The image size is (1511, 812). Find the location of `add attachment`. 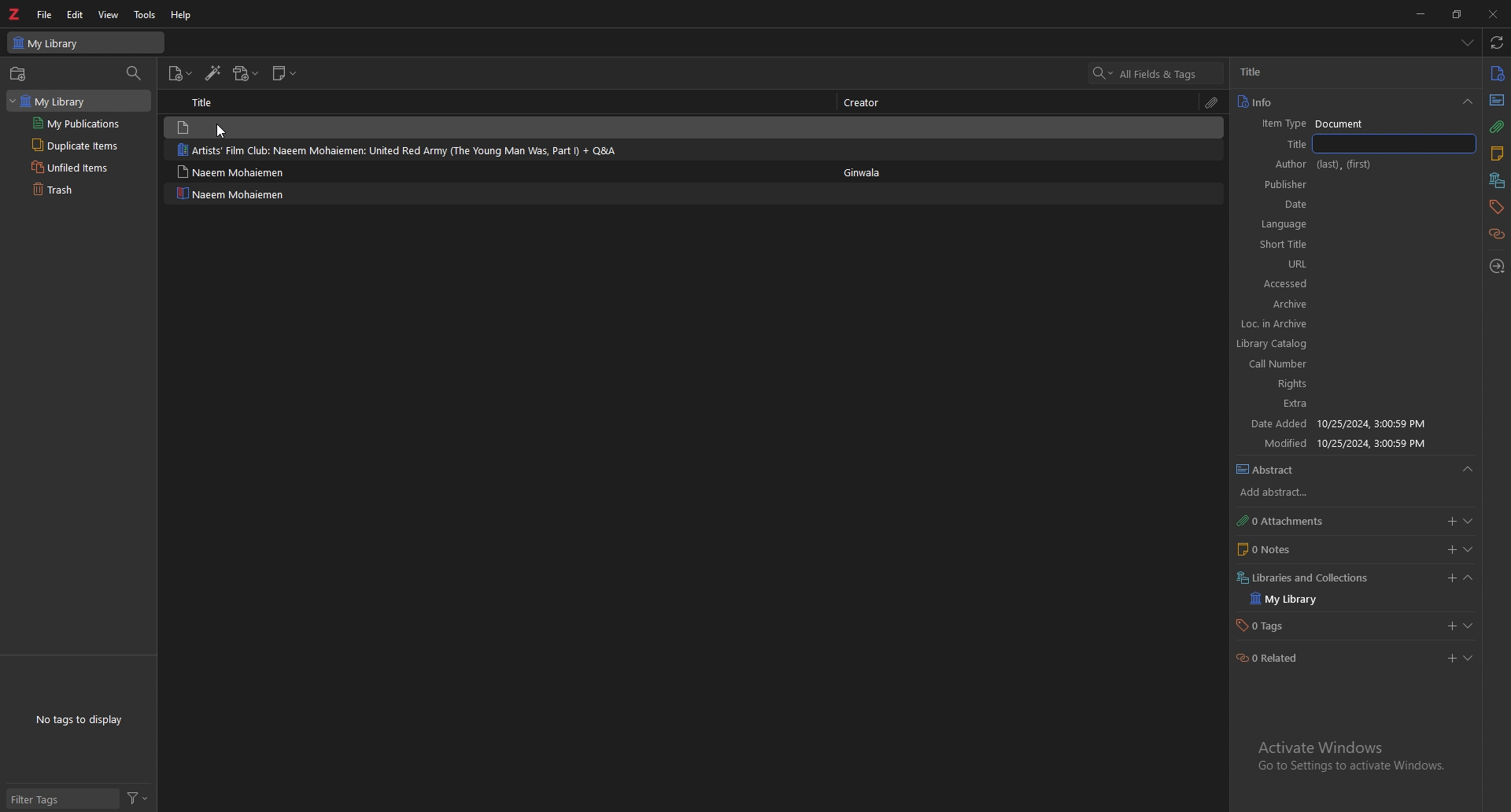

add attachment is located at coordinates (246, 73).